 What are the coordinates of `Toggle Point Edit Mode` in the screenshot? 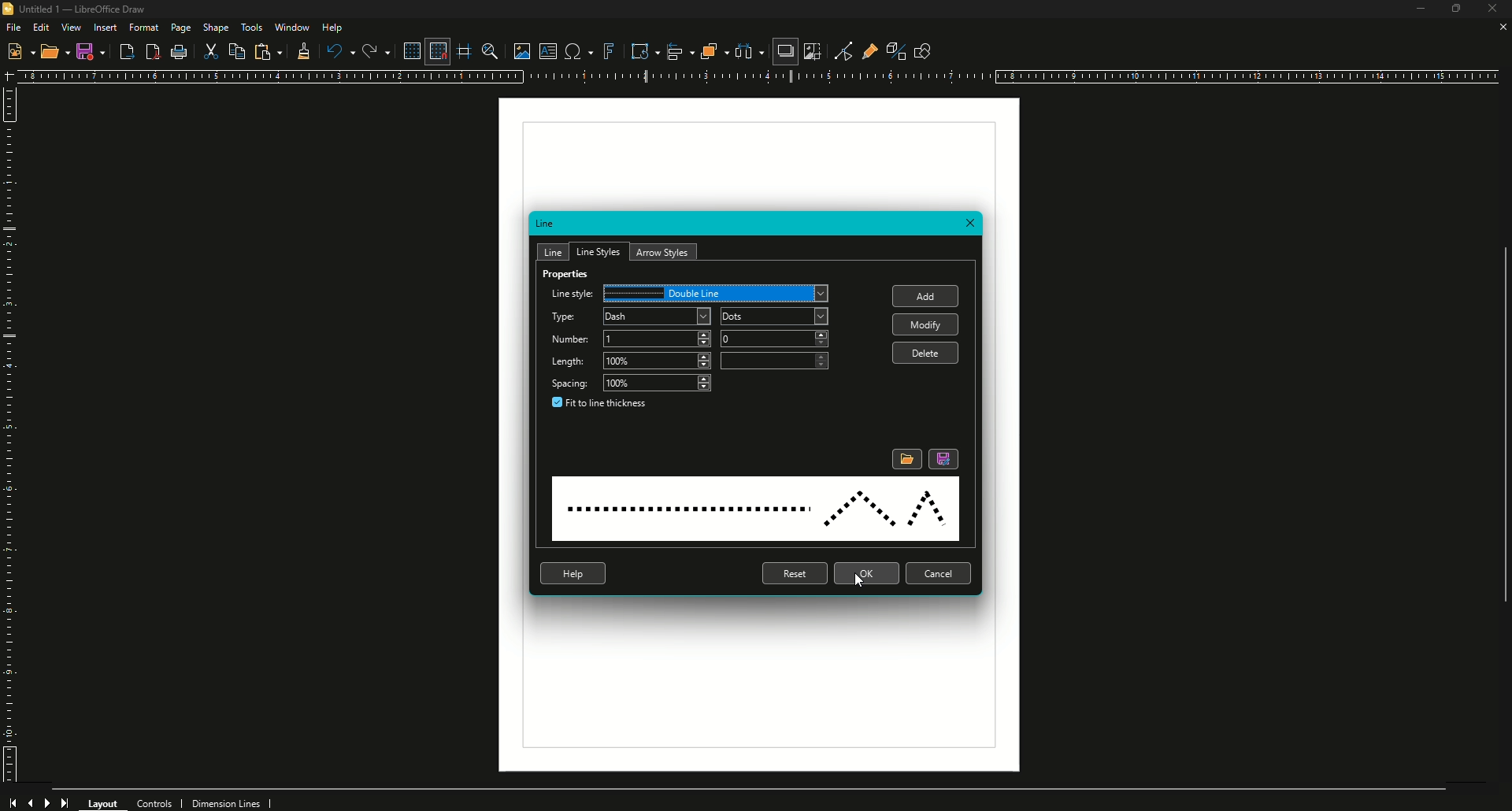 It's located at (838, 50).